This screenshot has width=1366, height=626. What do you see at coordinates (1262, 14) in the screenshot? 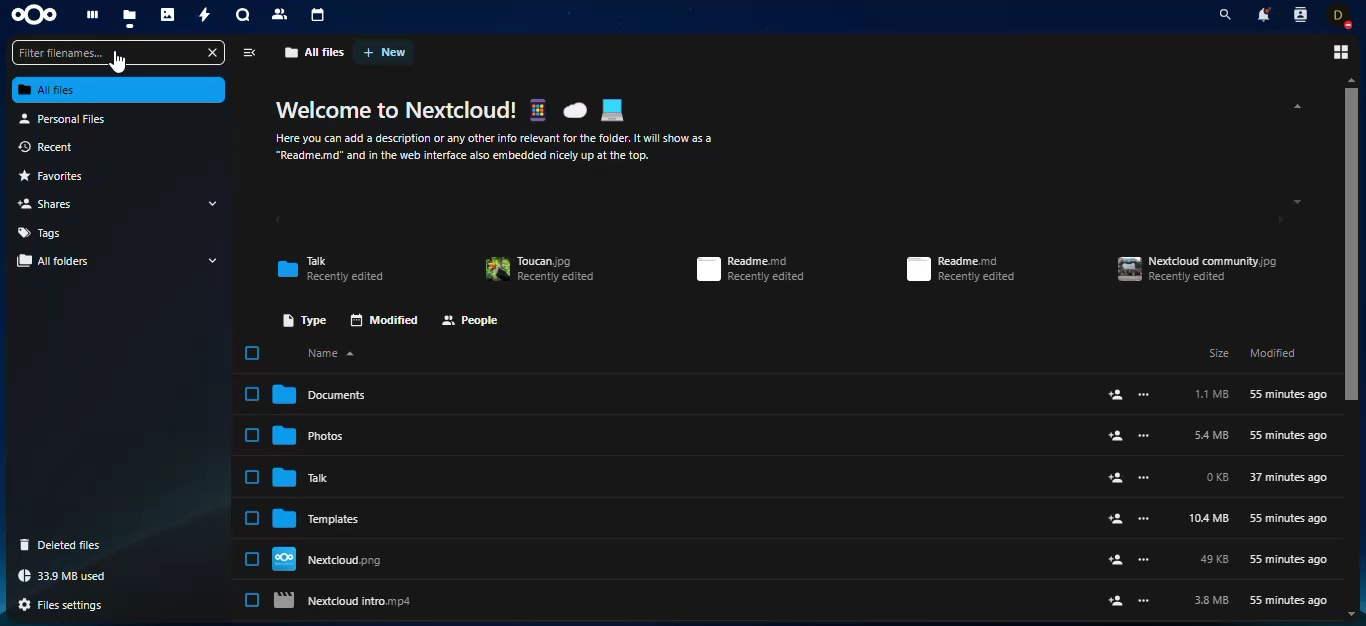
I see `notifications` at bounding box center [1262, 14].